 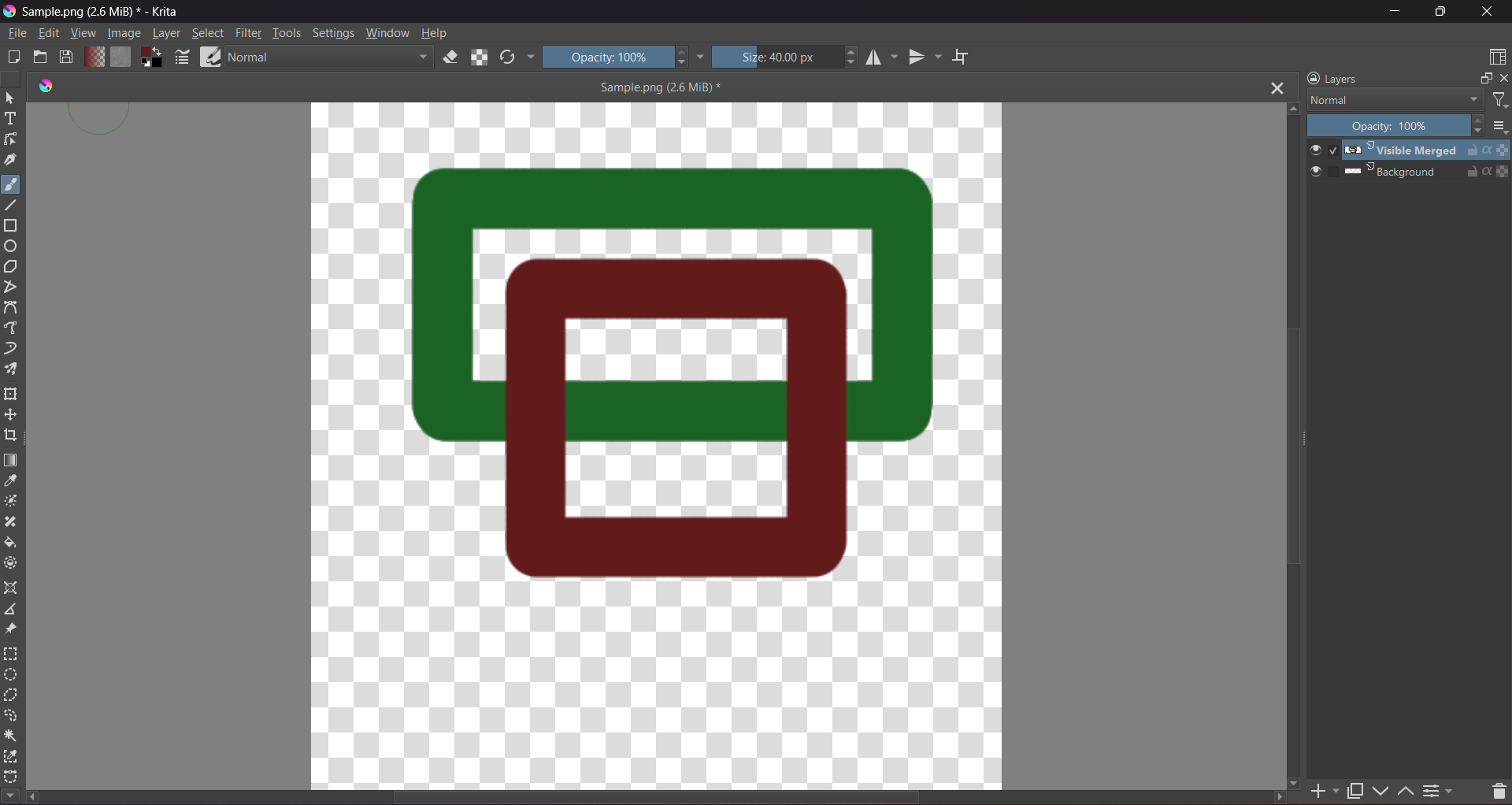 I want to click on Reload, so click(x=508, y=57).